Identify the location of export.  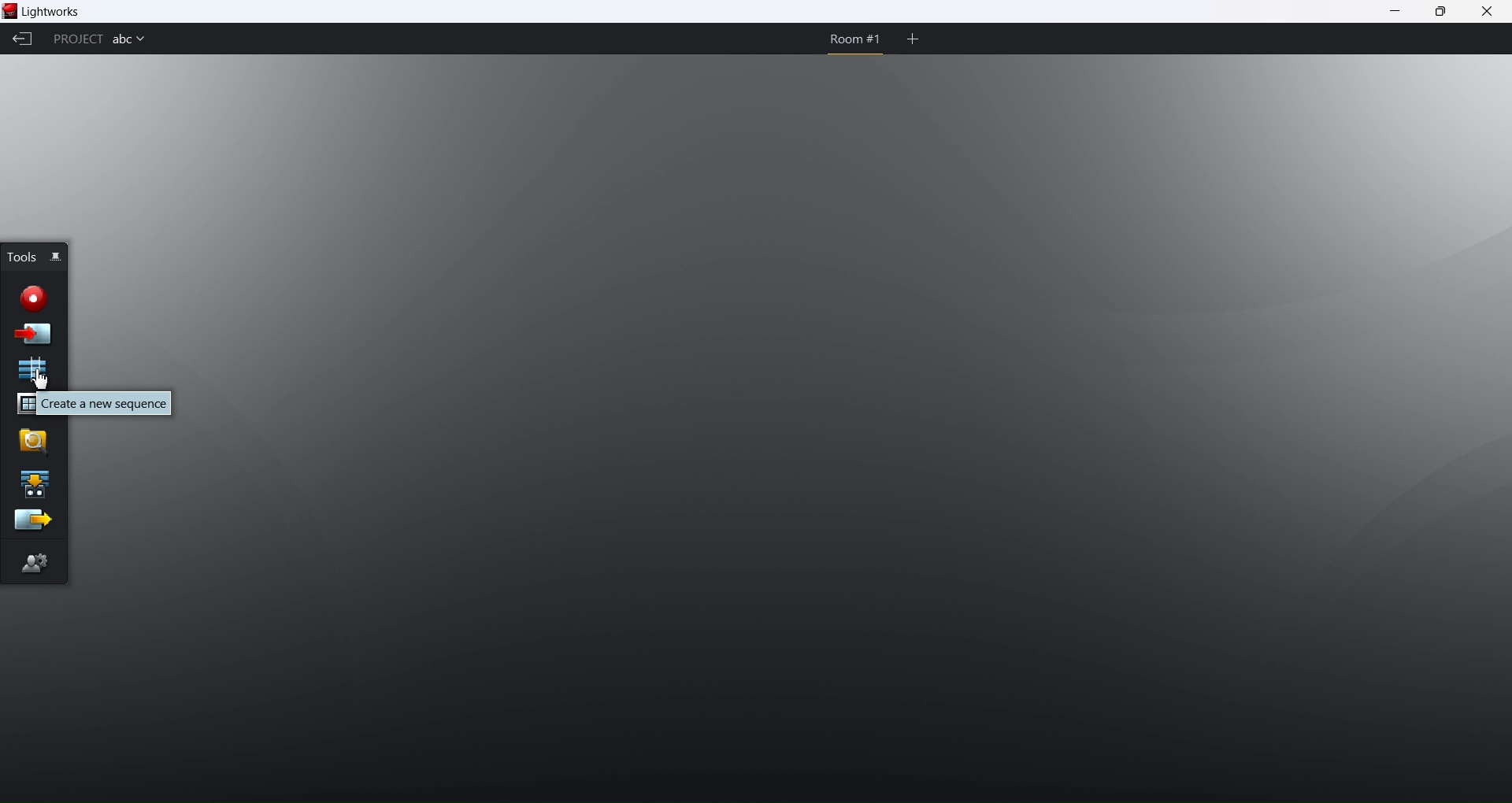
(31, 521).